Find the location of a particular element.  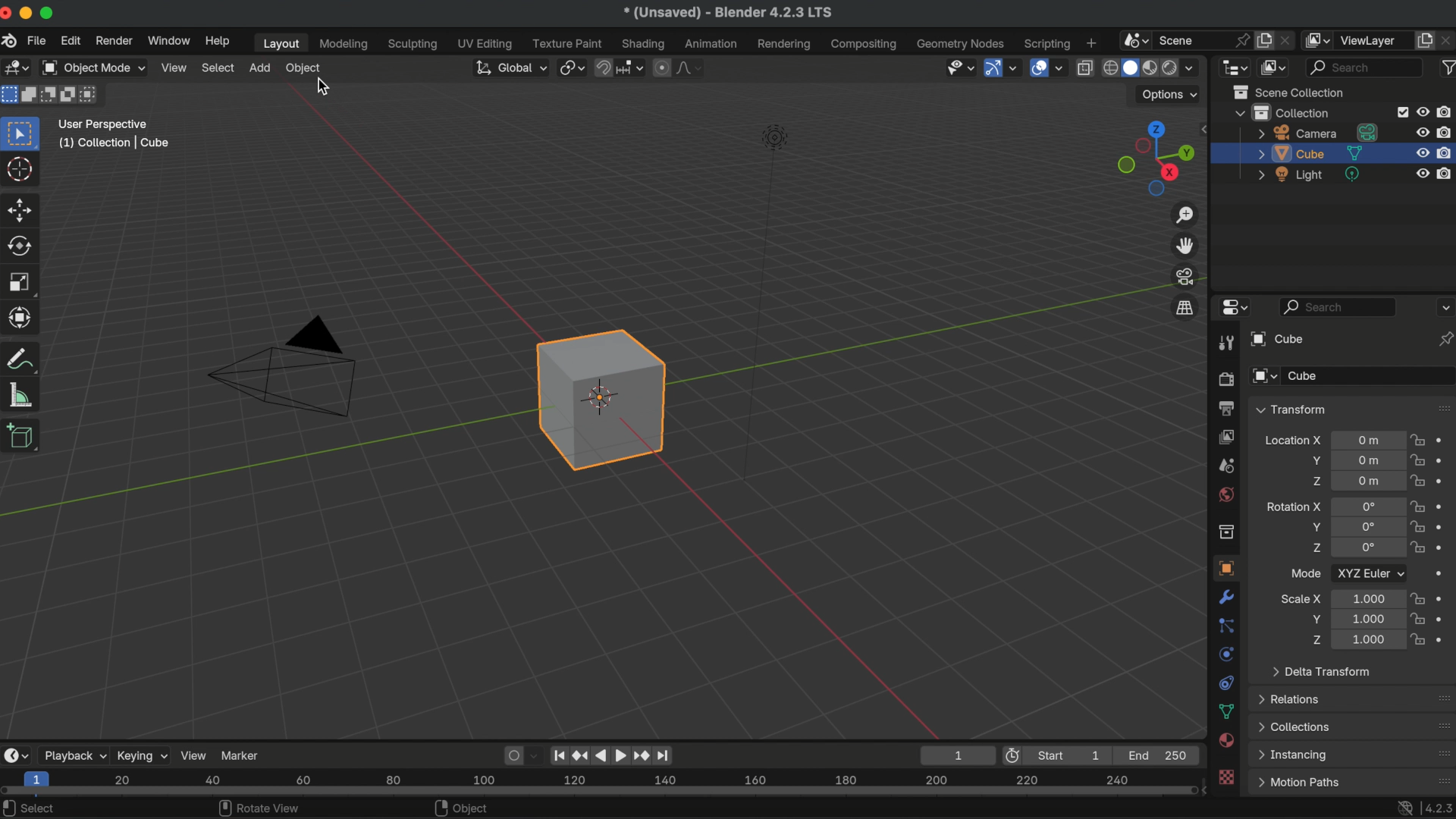

measure is located at coordinates (21, 394).